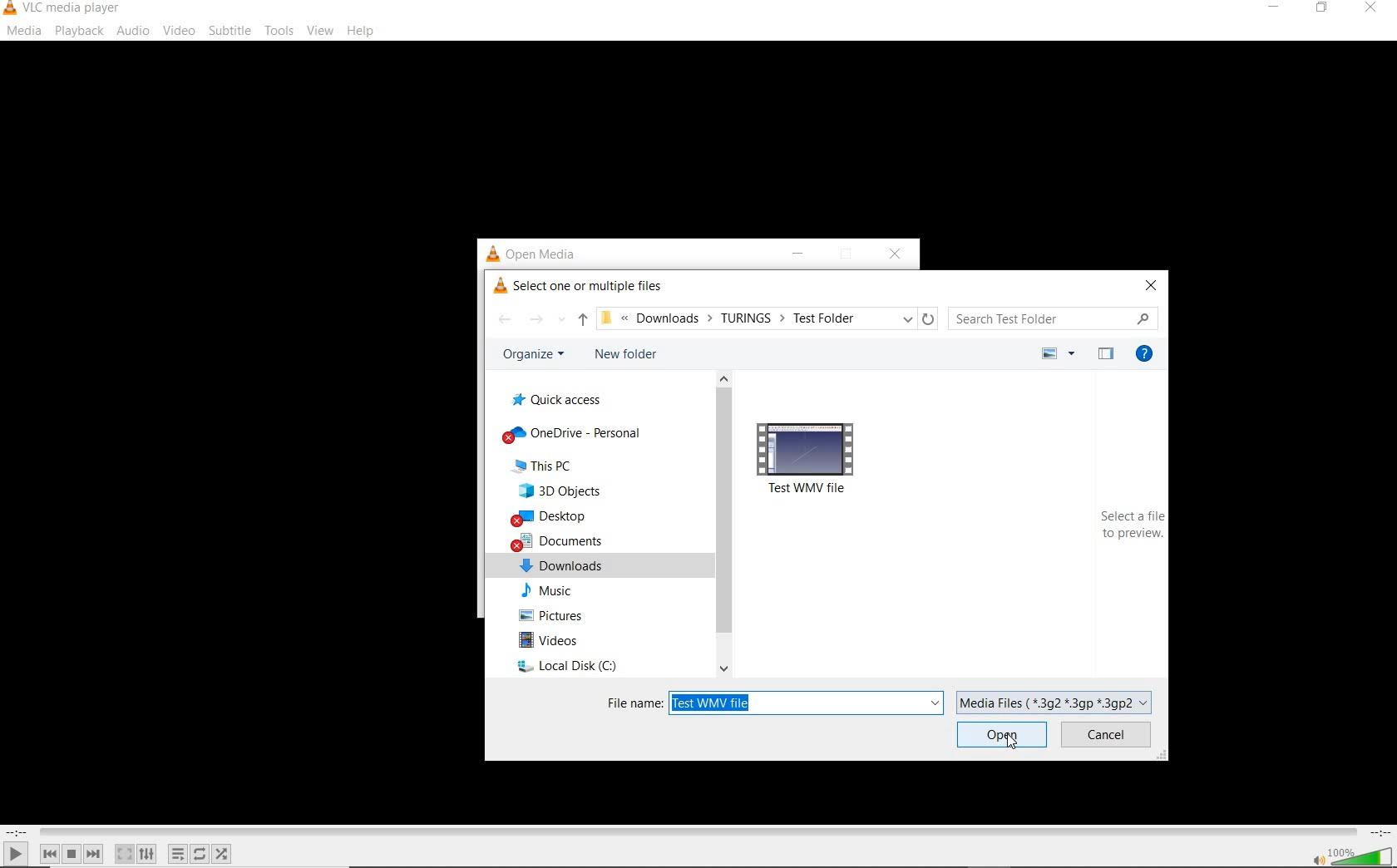 The image size is (1397, 868). Describe the element at coordinates (1107, 355) in the screenshot. I see `hide the preview pane` at that location.